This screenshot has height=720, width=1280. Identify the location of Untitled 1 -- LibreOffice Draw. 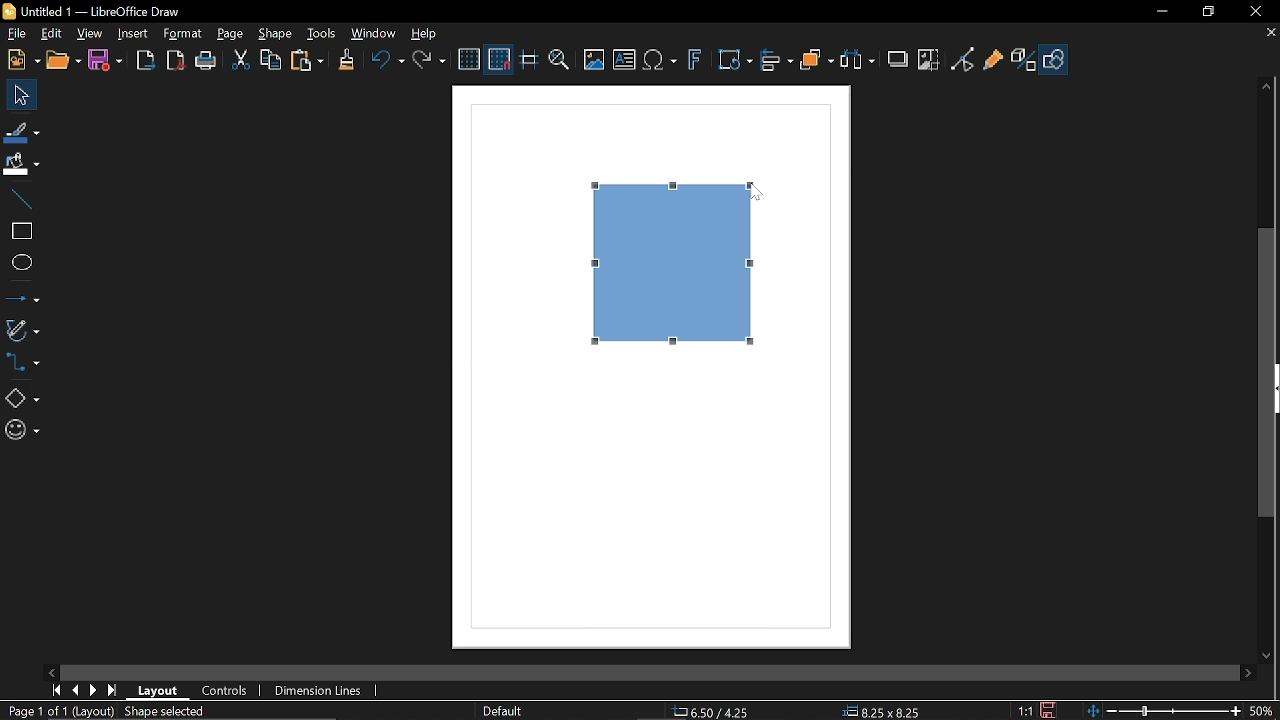
(120, 9).